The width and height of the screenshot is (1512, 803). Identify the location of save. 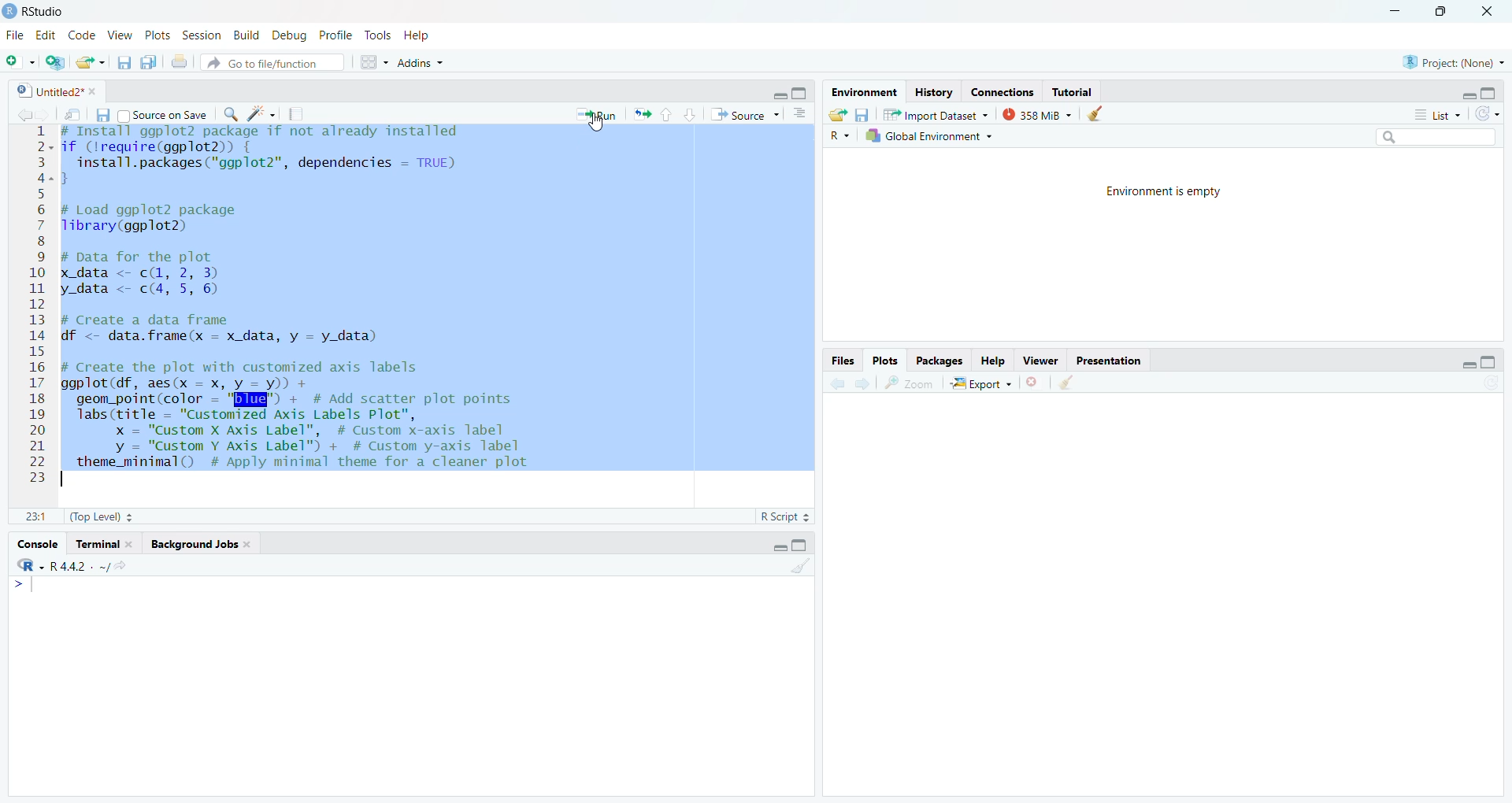
(865, 115).